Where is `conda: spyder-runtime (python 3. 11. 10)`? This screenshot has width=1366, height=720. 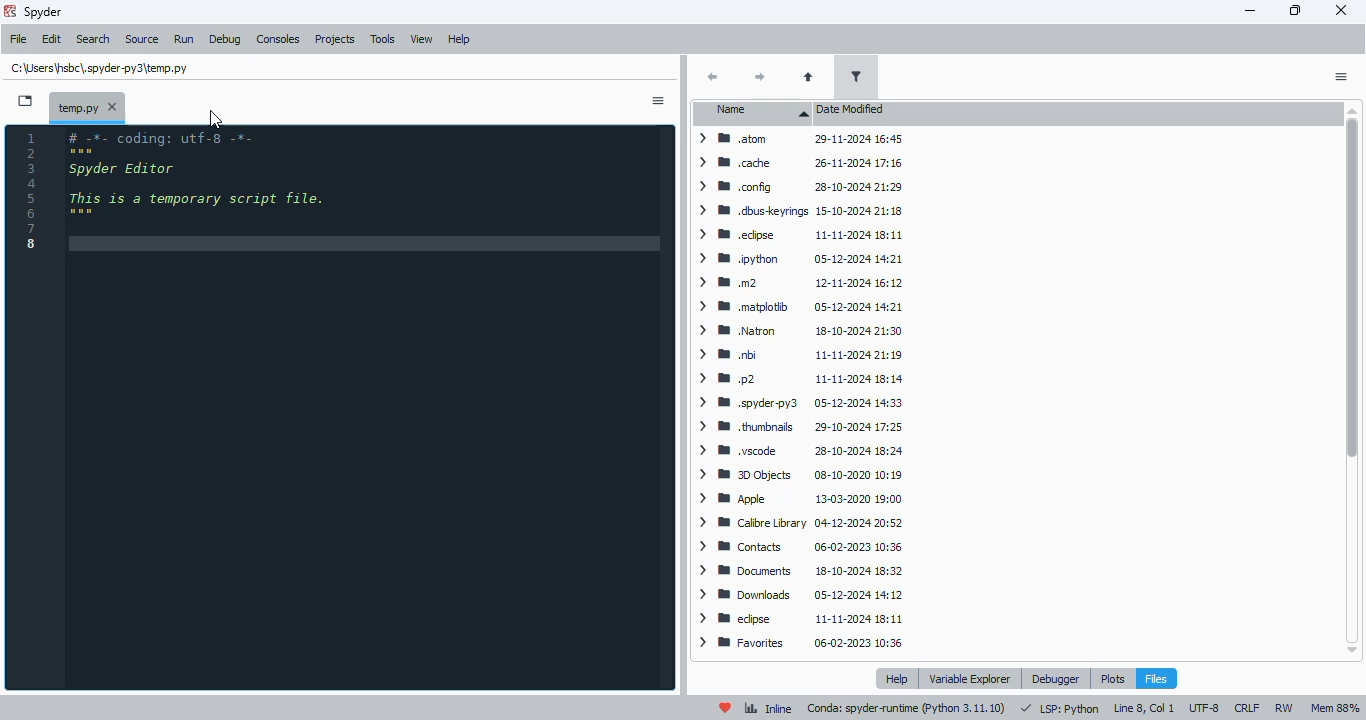 conda: spyder-runtime (python 3. 11. 10) is located at coordinates (906, 710).